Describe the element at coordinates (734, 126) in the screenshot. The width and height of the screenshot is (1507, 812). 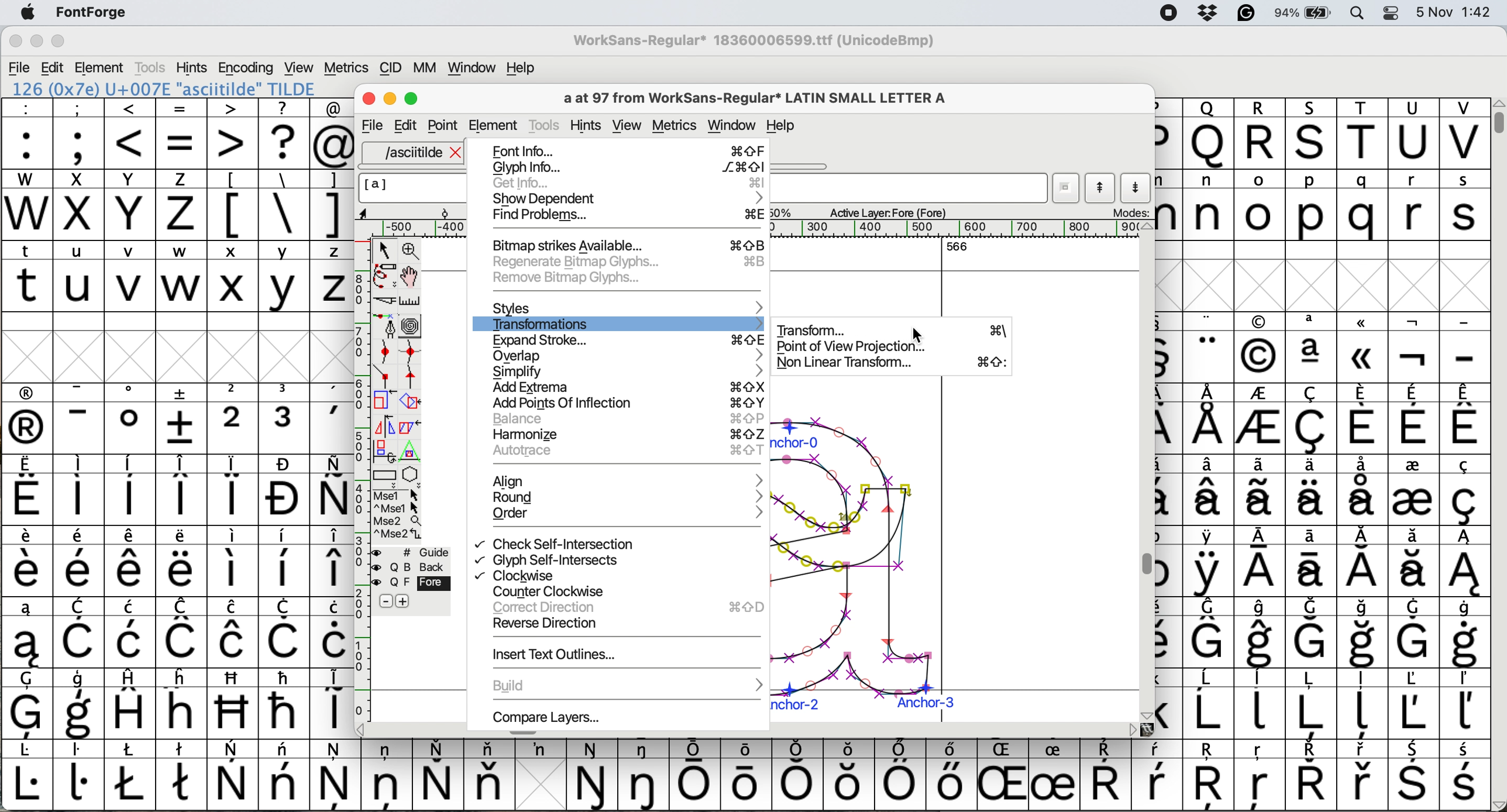
I see `window` at that location.